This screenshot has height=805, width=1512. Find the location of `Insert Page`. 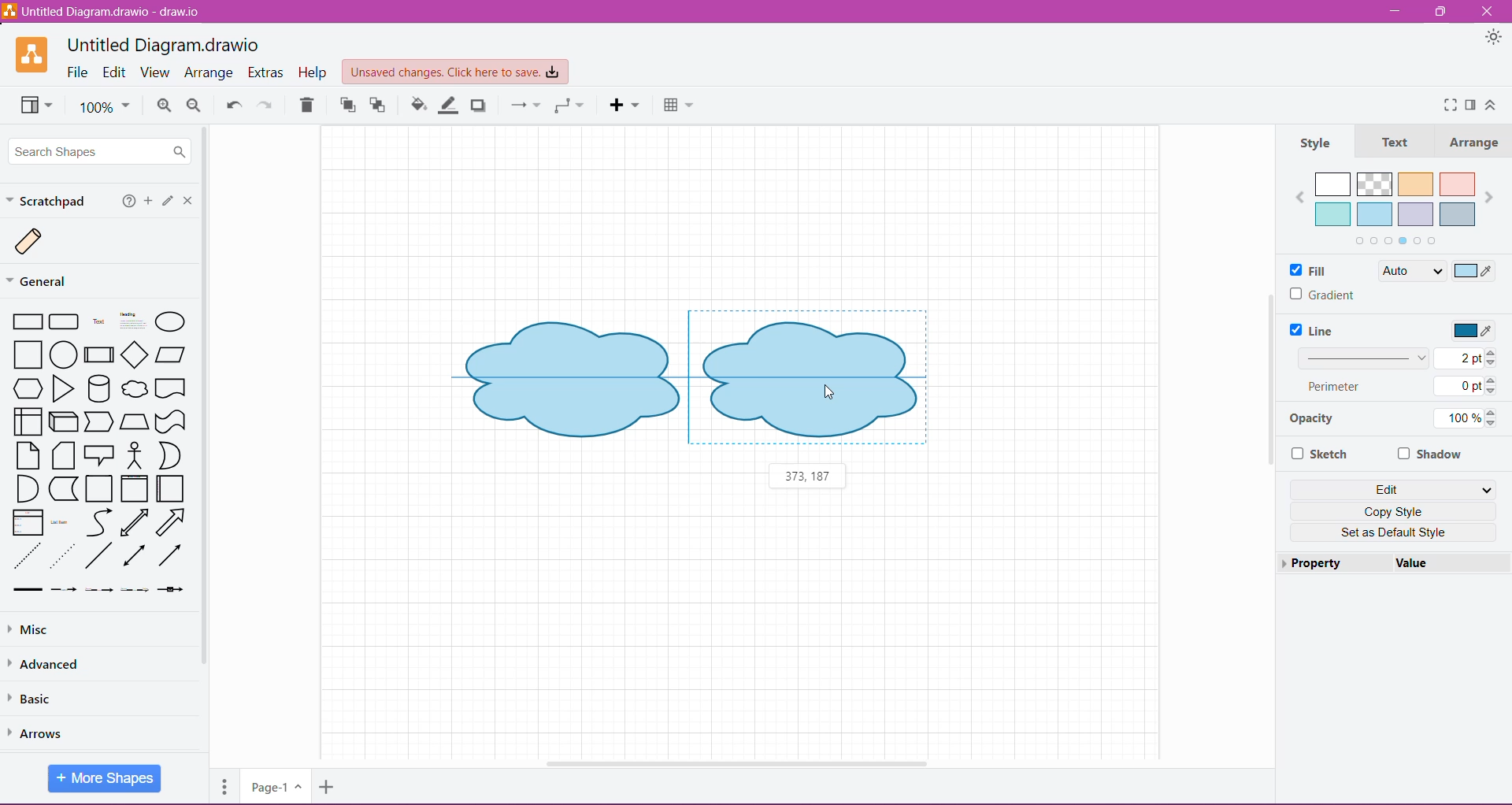

Insert Page is located at coordinates (329, 786).